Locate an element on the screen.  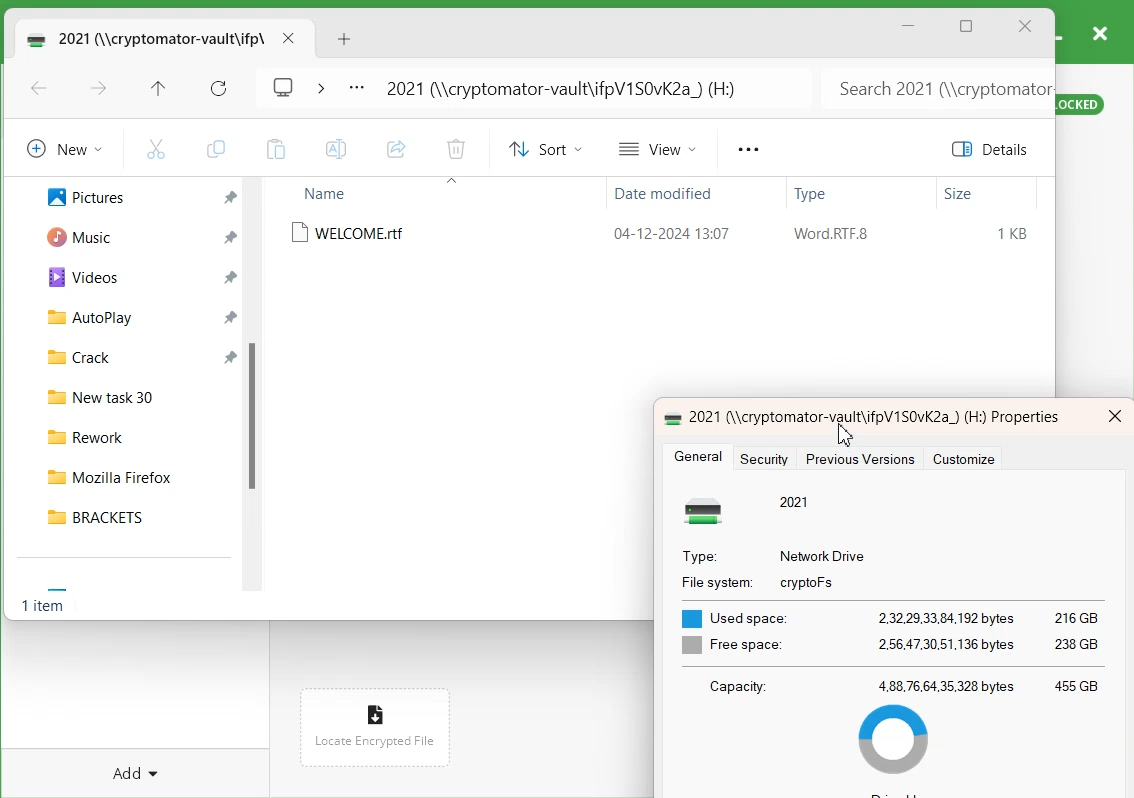
Date is located at coordinates (669, 231).